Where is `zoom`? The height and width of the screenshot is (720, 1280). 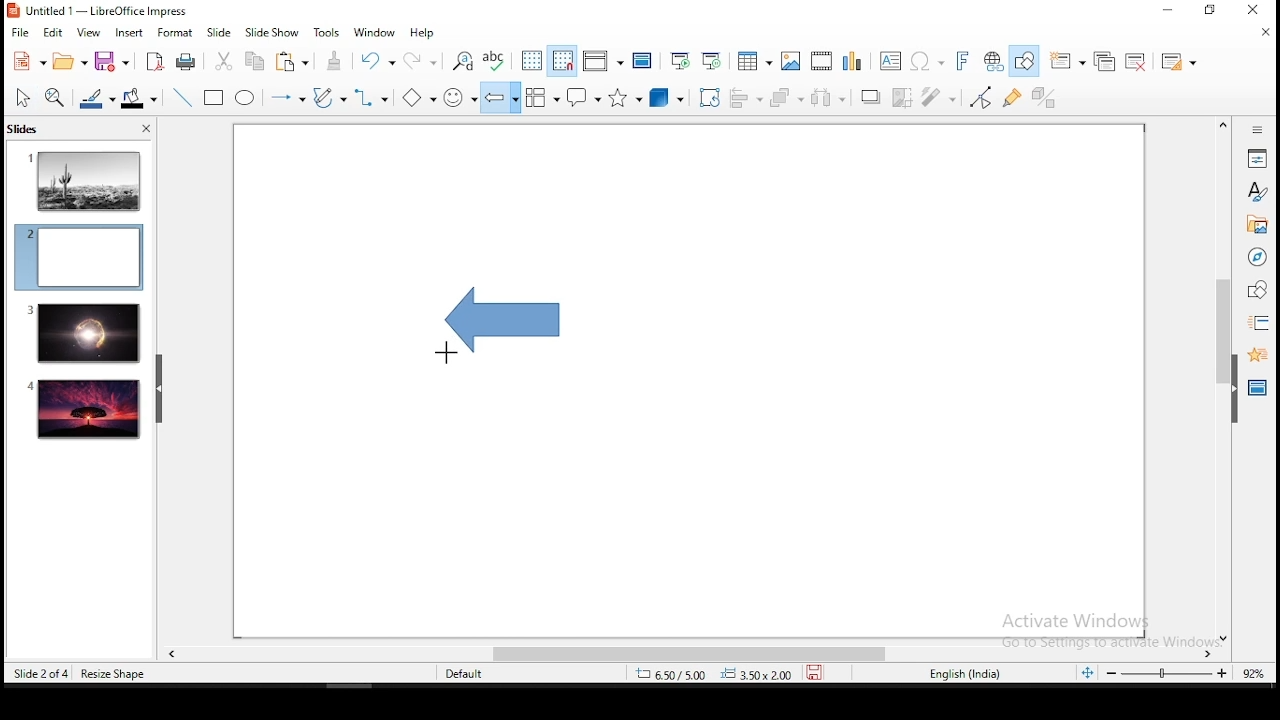 zoom is located at coordinates (1168, 673).